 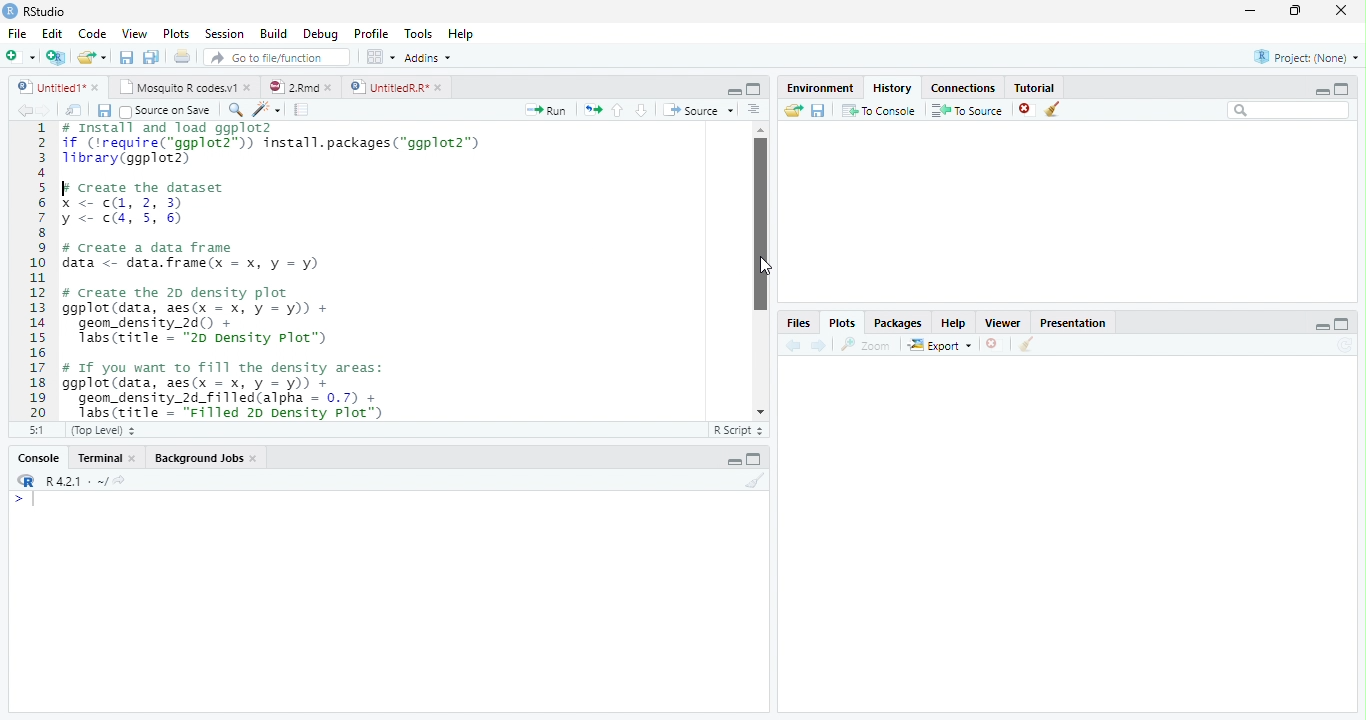 What do you see at coordinates (754, 88) in the screenshot?
I see `maximize` at bounding box center [754, 88].